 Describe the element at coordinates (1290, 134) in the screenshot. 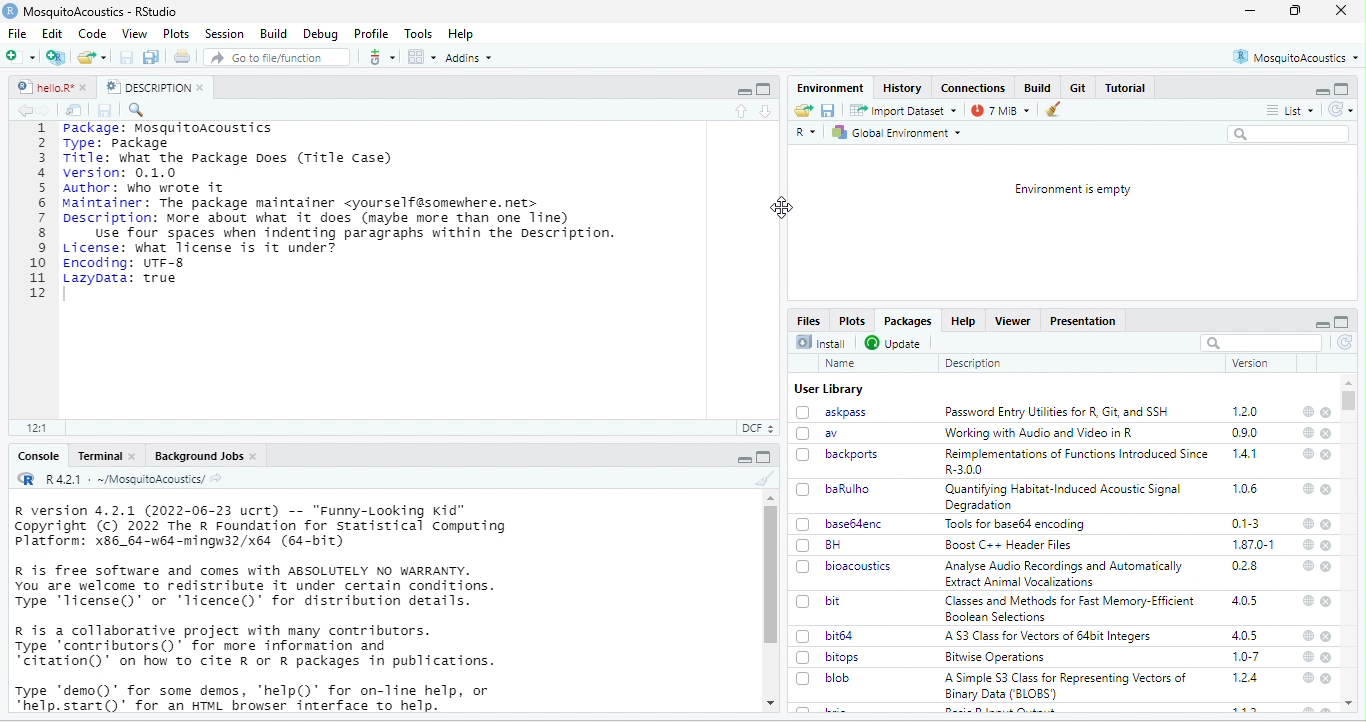

I see `Search bar` at that location.